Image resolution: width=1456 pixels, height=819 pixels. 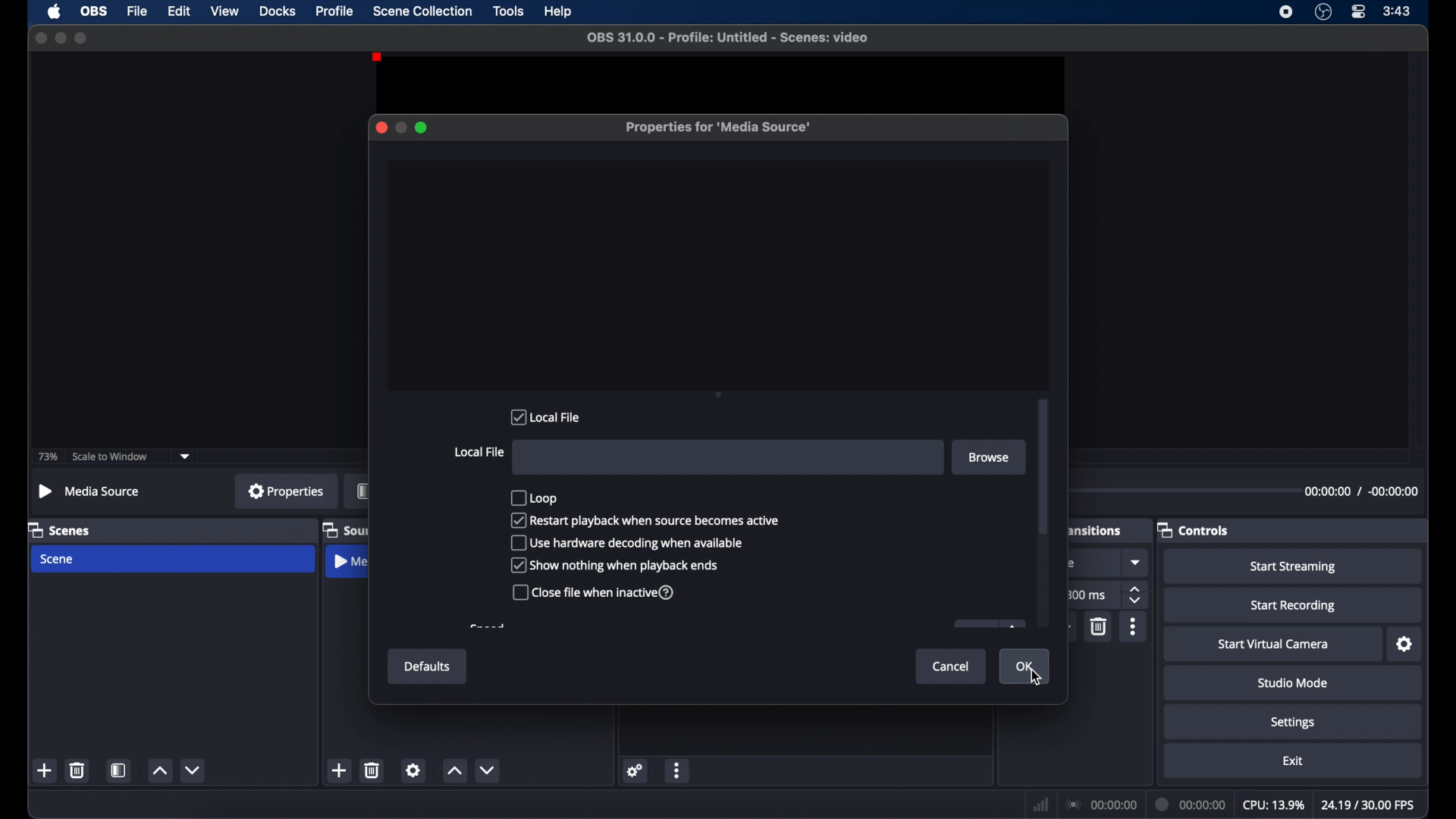 What do you see at coordinates (350, 561) in the screenshot?
I see `media source` at bounding box center [350, 561].